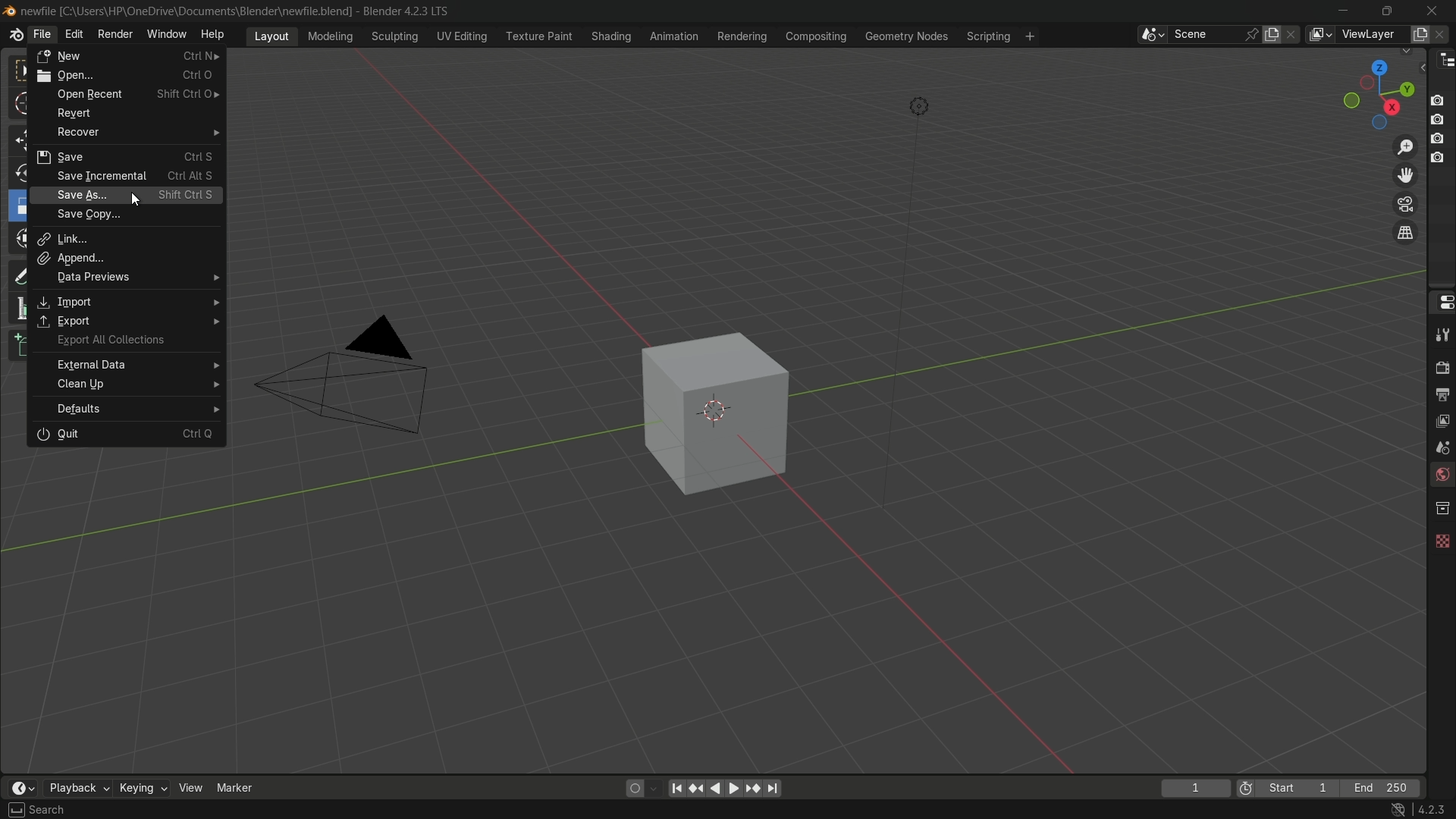  Describe the element at coordinates (16, 106) in the screenshot. I see `cursor` at that location.